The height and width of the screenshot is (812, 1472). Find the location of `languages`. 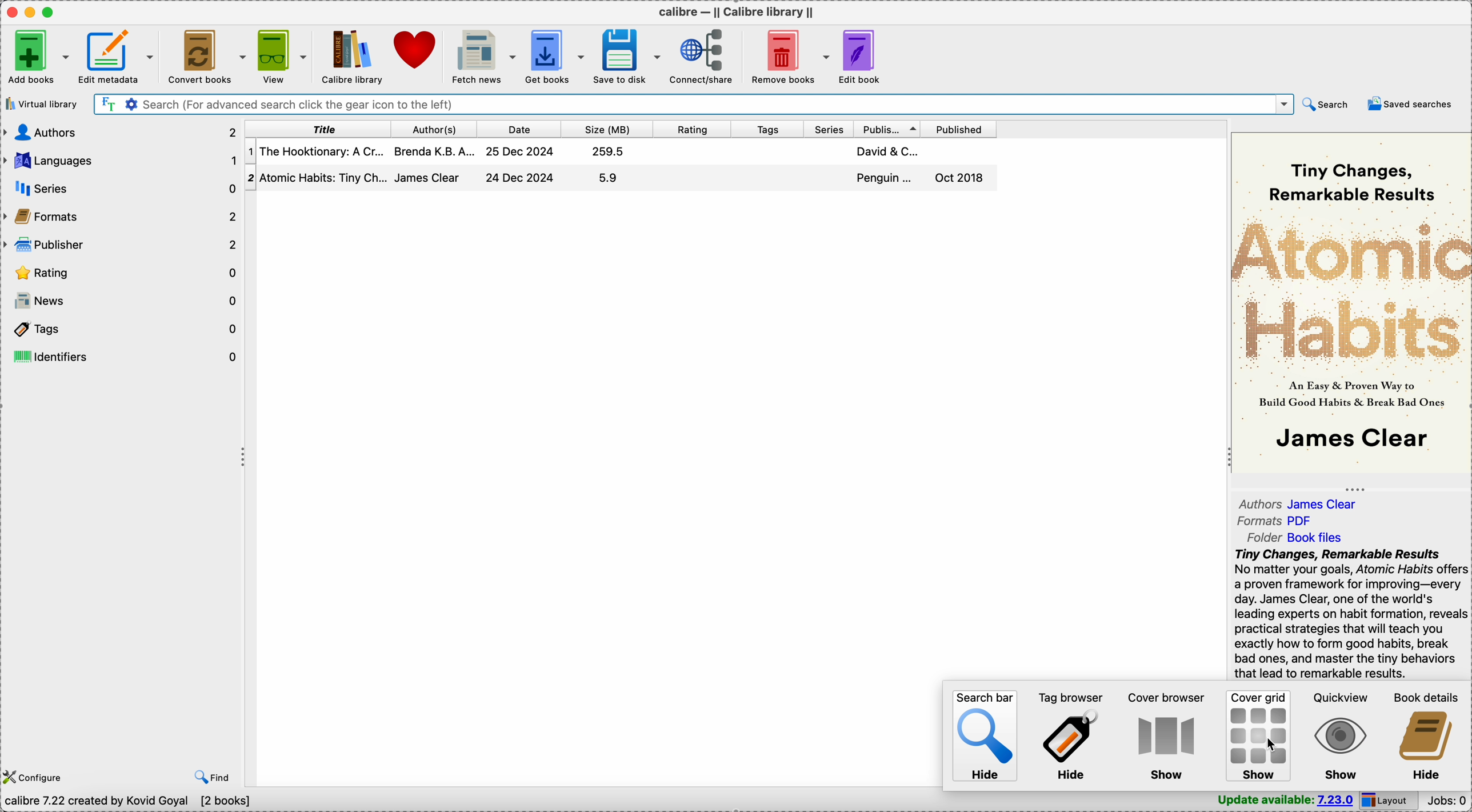

languages is located at coordinates (122, 161).